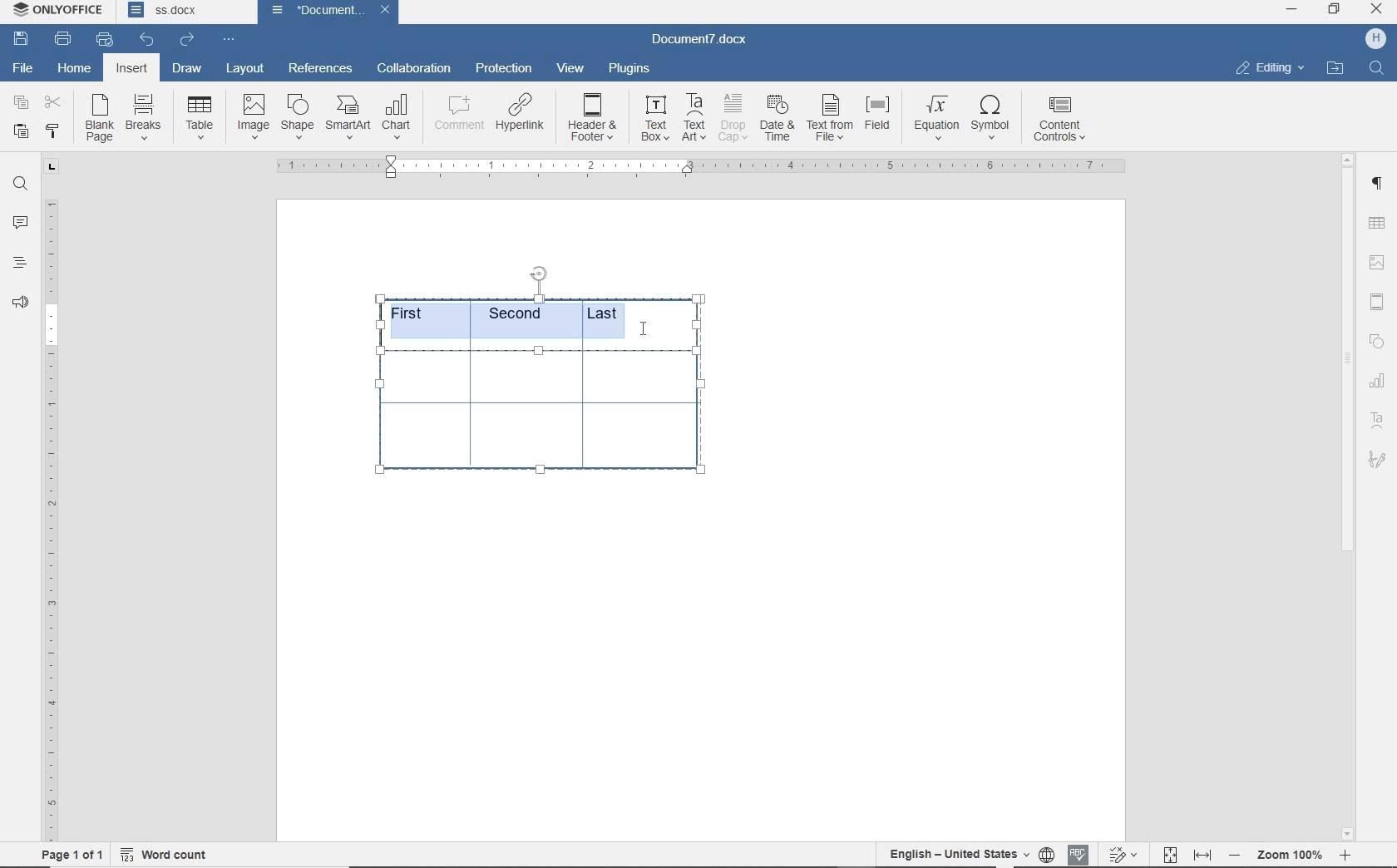  I want to click on SHAPE, so click(1376, 341).